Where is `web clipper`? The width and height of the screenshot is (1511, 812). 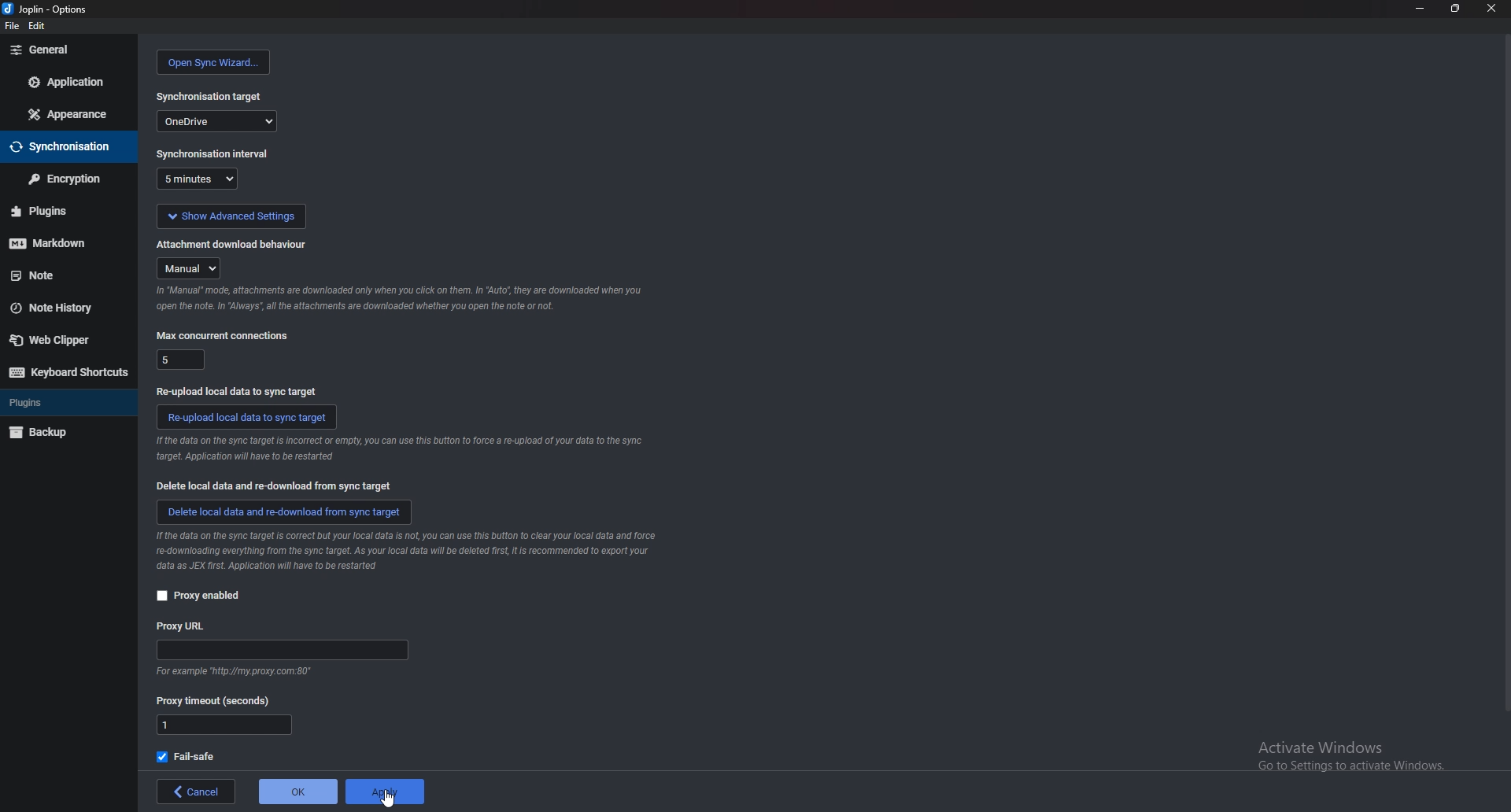 web clipper is located at coordinates (59, 341).